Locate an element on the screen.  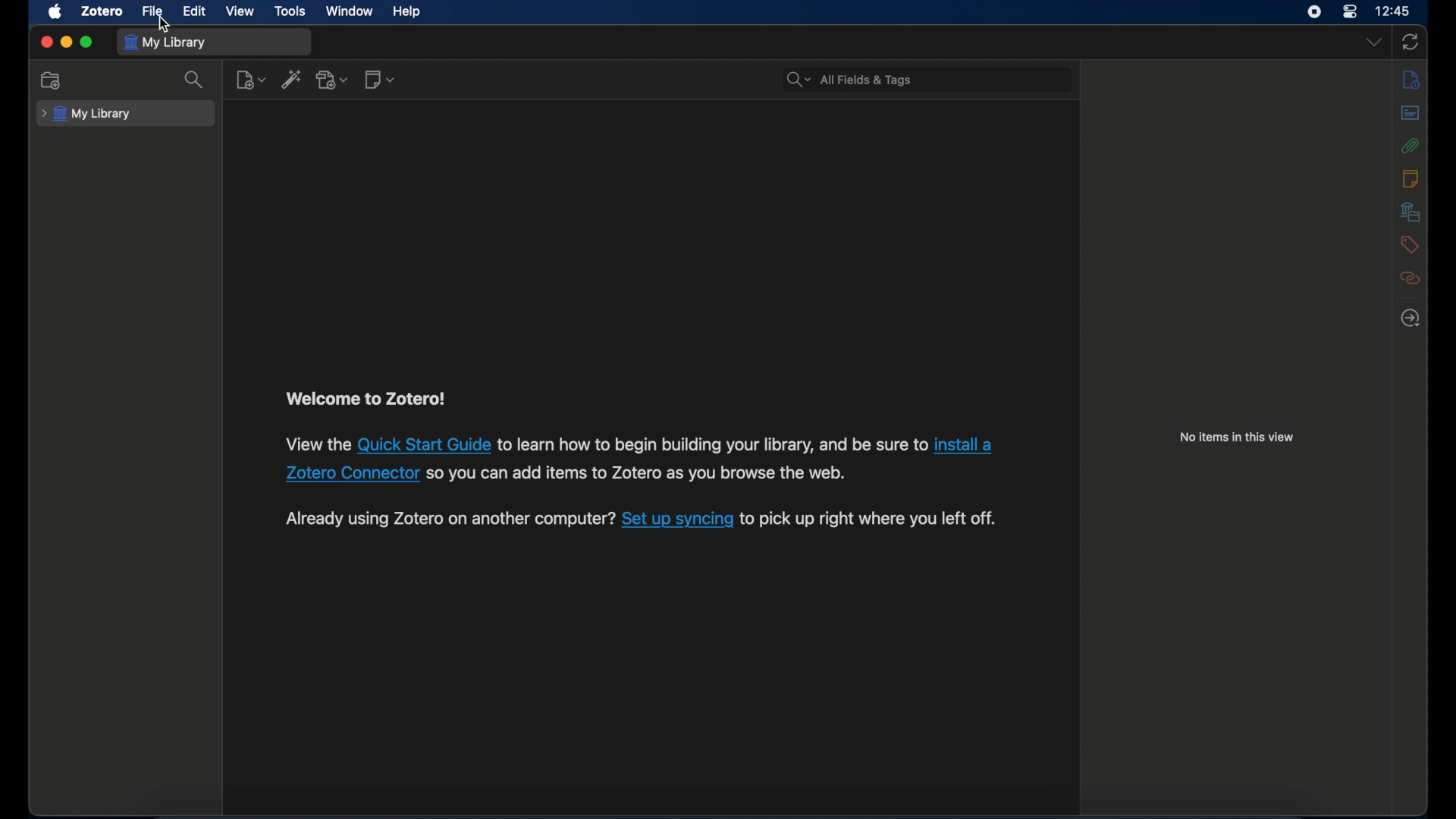
add attachment is located at coordinates (332, 80).